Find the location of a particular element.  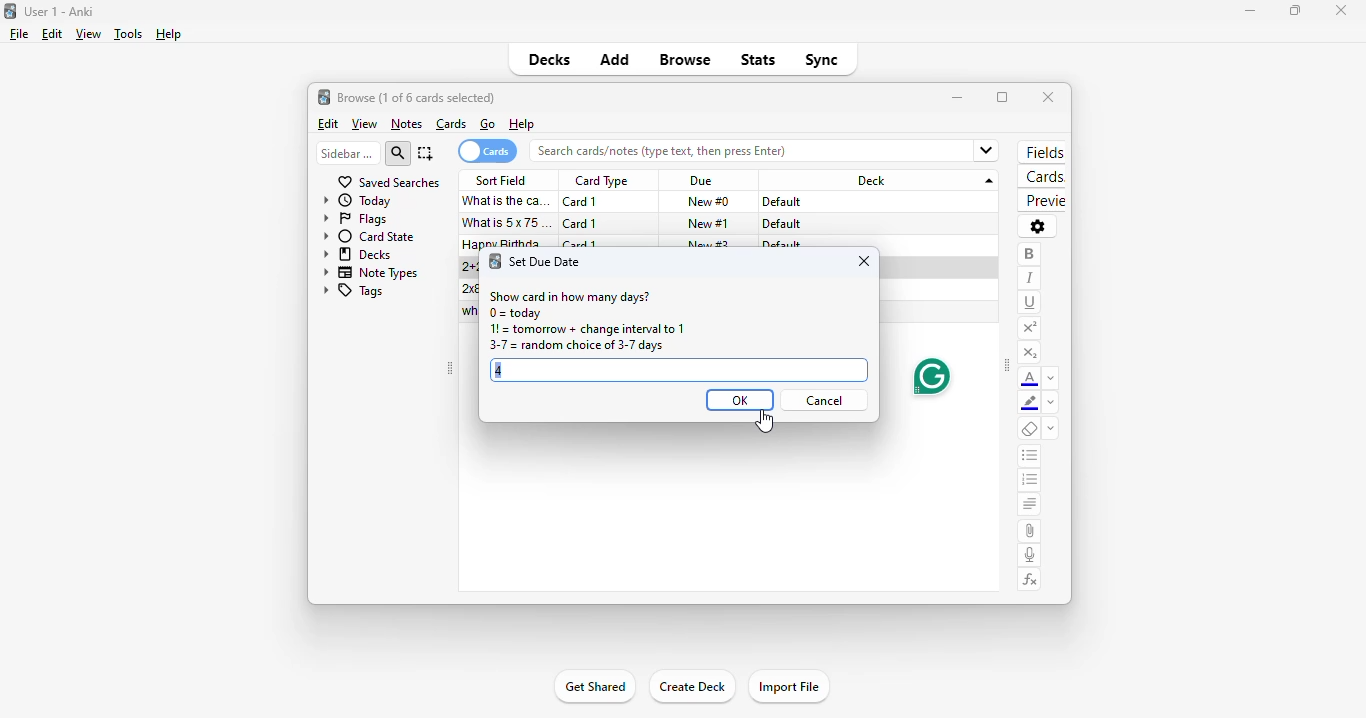

underline is located at coordinates (1030, 302).